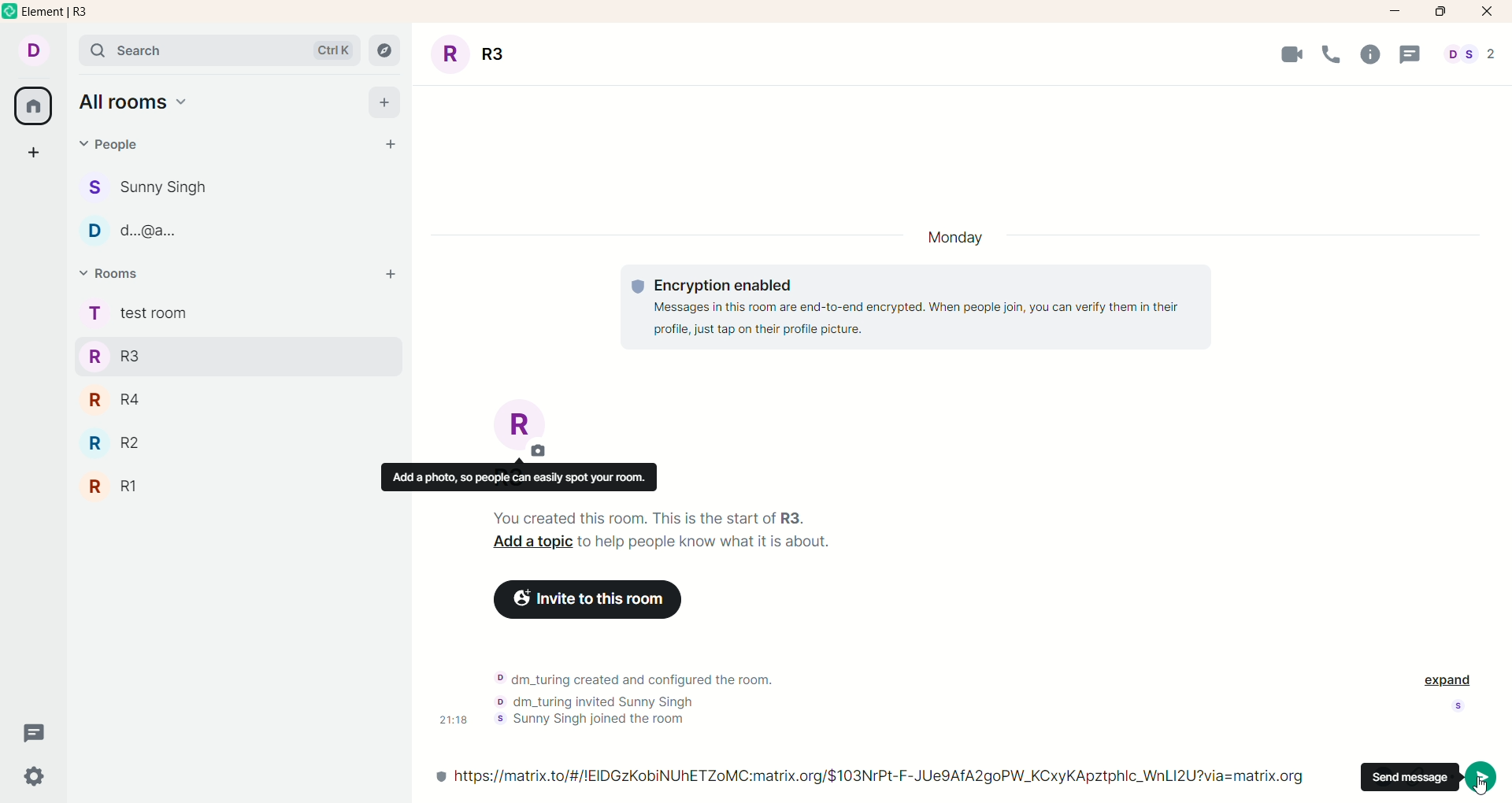 This screenshot has width=1512, height=803. What do you see at coordinates (636, 701) in the screenshot?
I see `text` at bounding box center [636, 701].